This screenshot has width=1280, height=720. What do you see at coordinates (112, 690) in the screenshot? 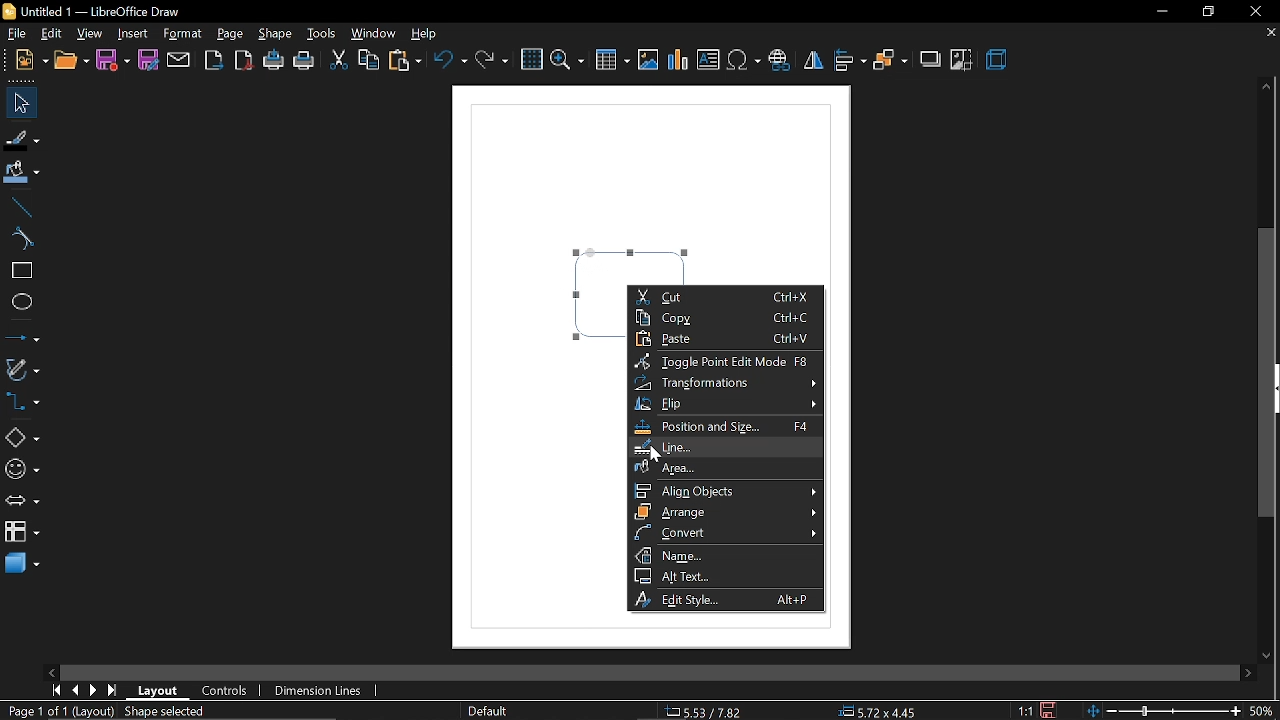
I see `go to last page` at bounding box center [112, 690].